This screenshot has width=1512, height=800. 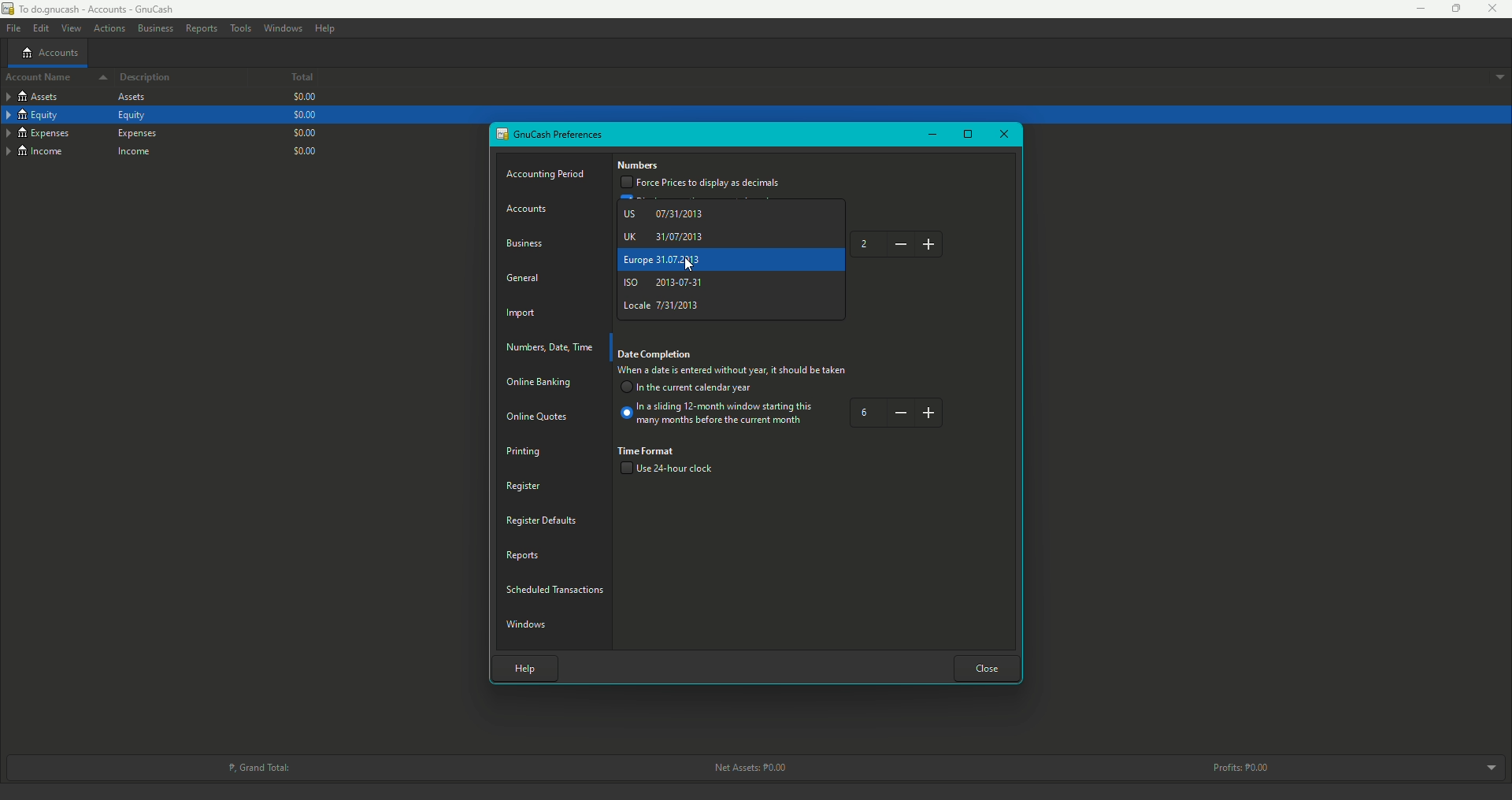 I want to click on Import, so click(x=524, y=315).